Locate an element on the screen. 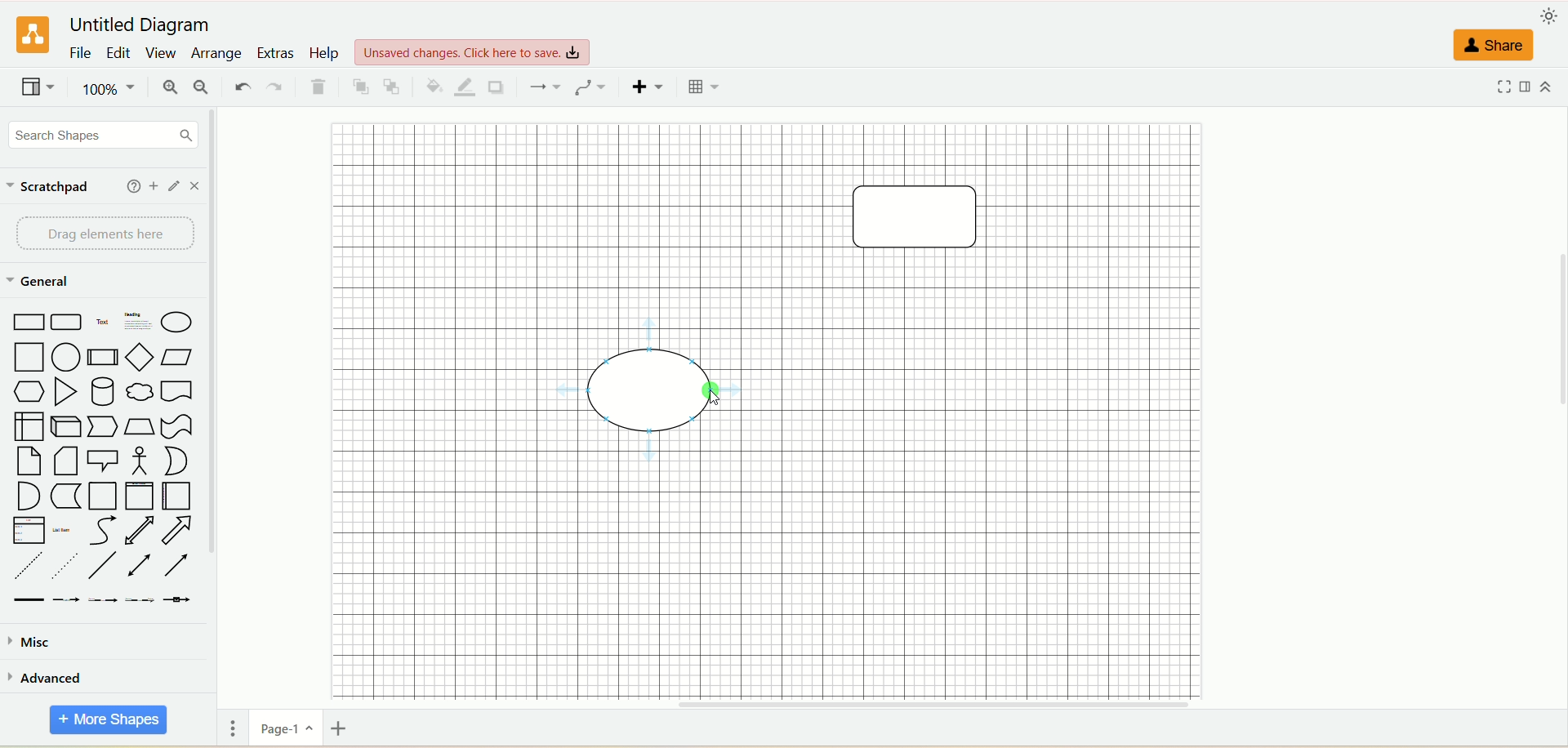 The height and width of the screenshot is (748, 1568). to front is located at coordinates (357, 87).